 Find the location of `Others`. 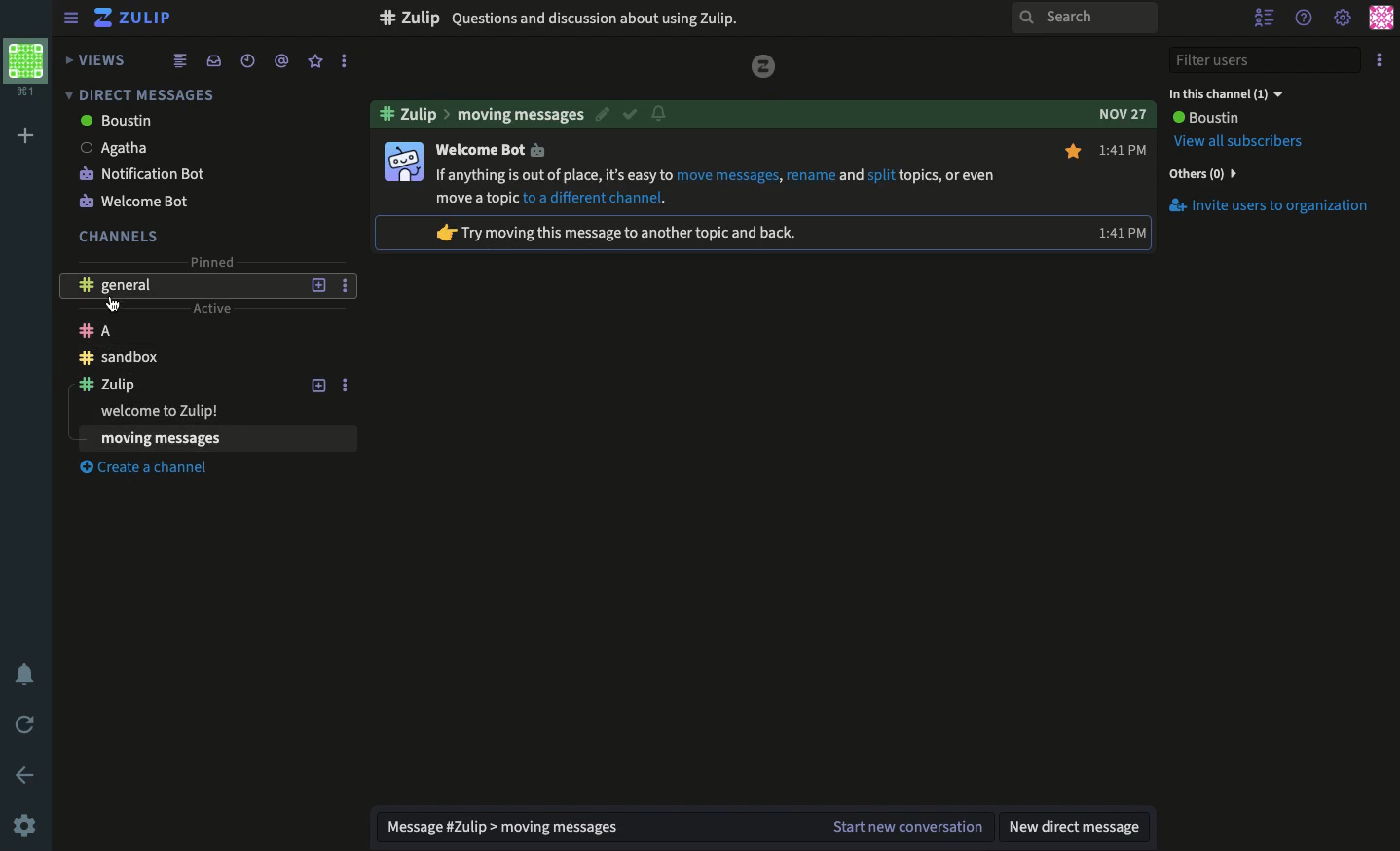

Others is located at coordinates (1200, 173).